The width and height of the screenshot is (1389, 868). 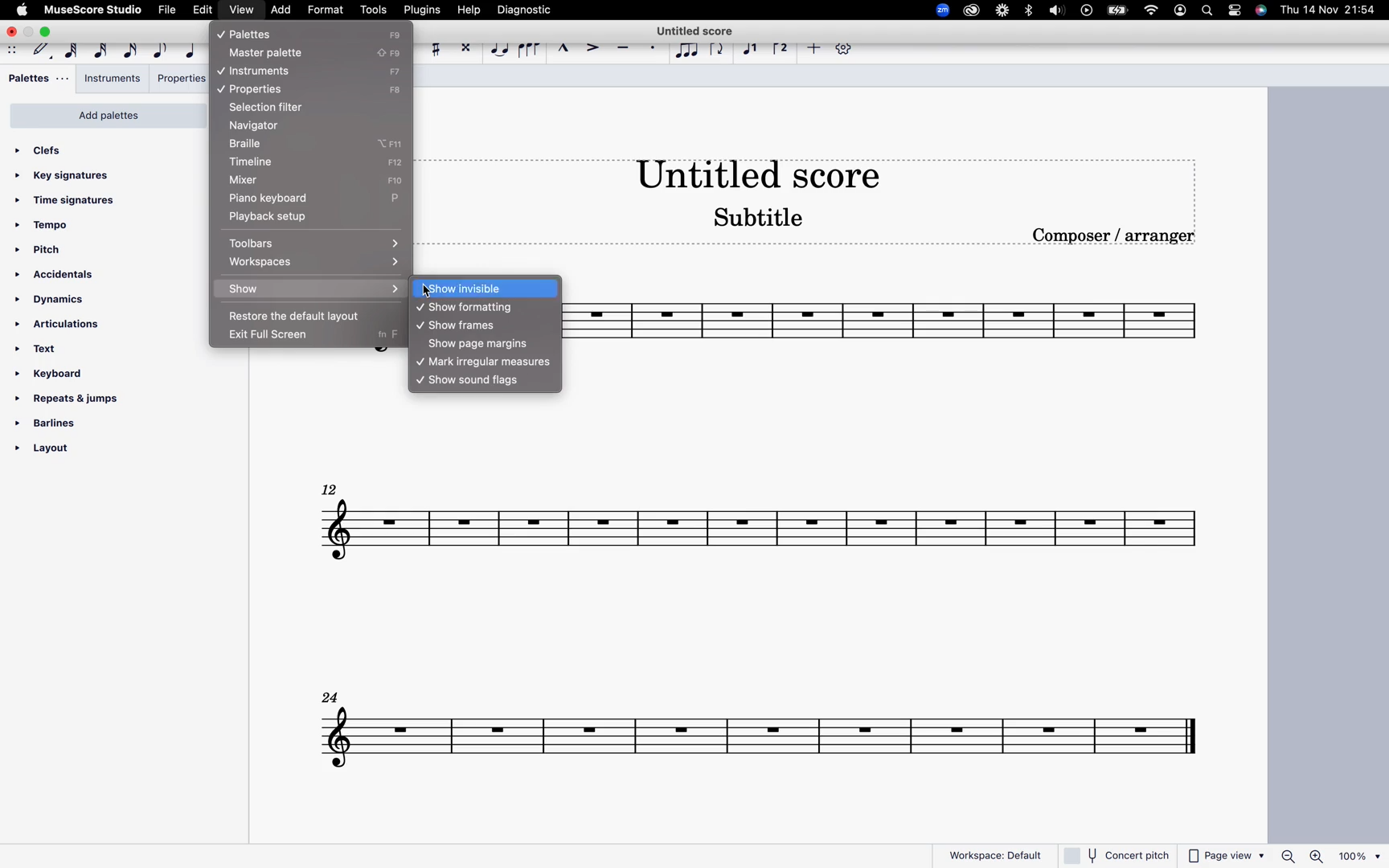 What do you see at coordinates (488, 381) in the screenshot?
I see `show sound flags` at bounding box center [488, 381].